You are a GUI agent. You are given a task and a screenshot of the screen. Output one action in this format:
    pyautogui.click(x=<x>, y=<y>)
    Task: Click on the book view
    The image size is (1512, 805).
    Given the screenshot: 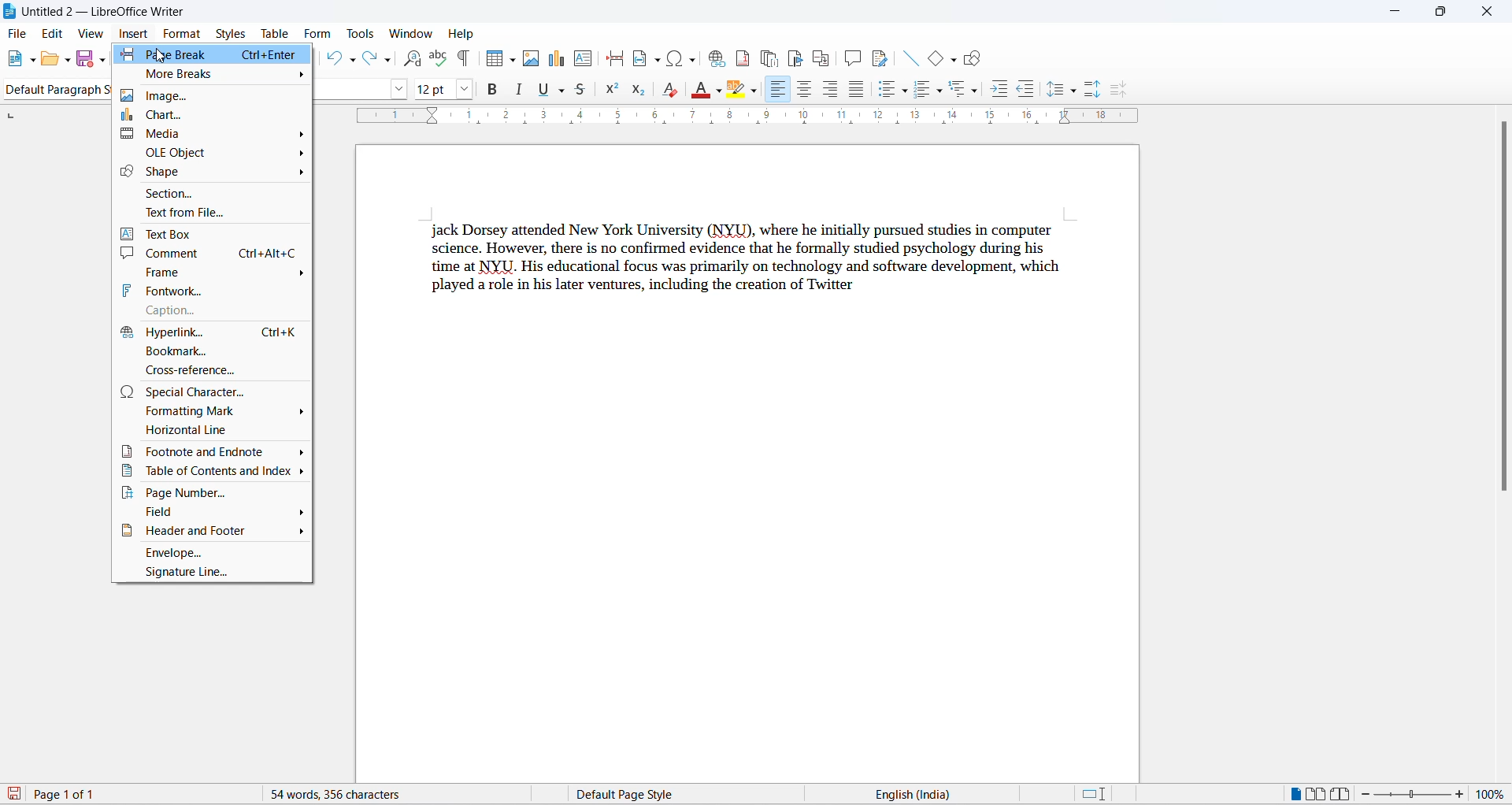 What is the action you would take?
    pyautogui.click(x=1343, y=795)
    